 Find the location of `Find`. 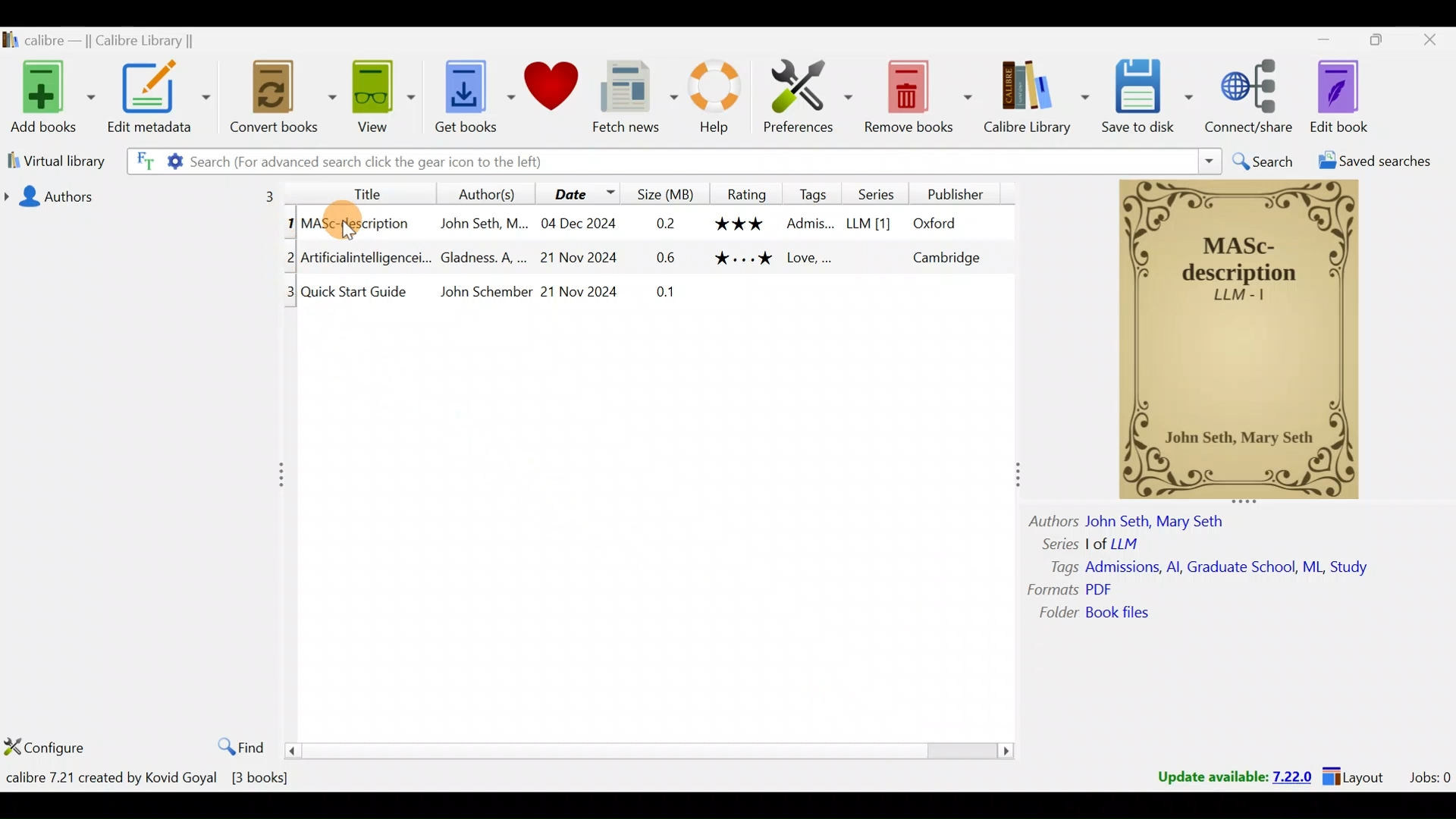

Find is located at coordinates (237, 745).